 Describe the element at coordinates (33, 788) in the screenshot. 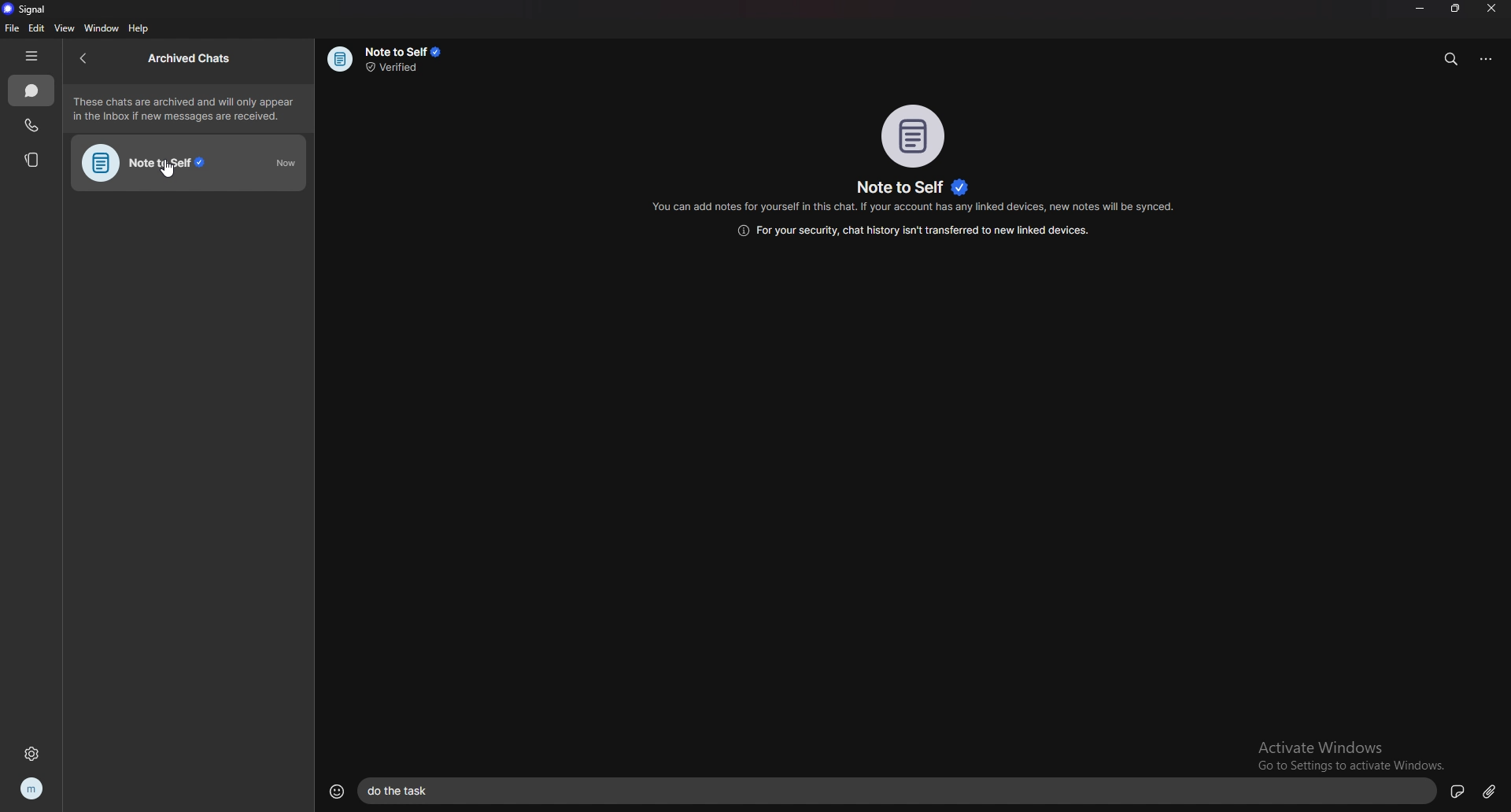

I see `profile` at that location.